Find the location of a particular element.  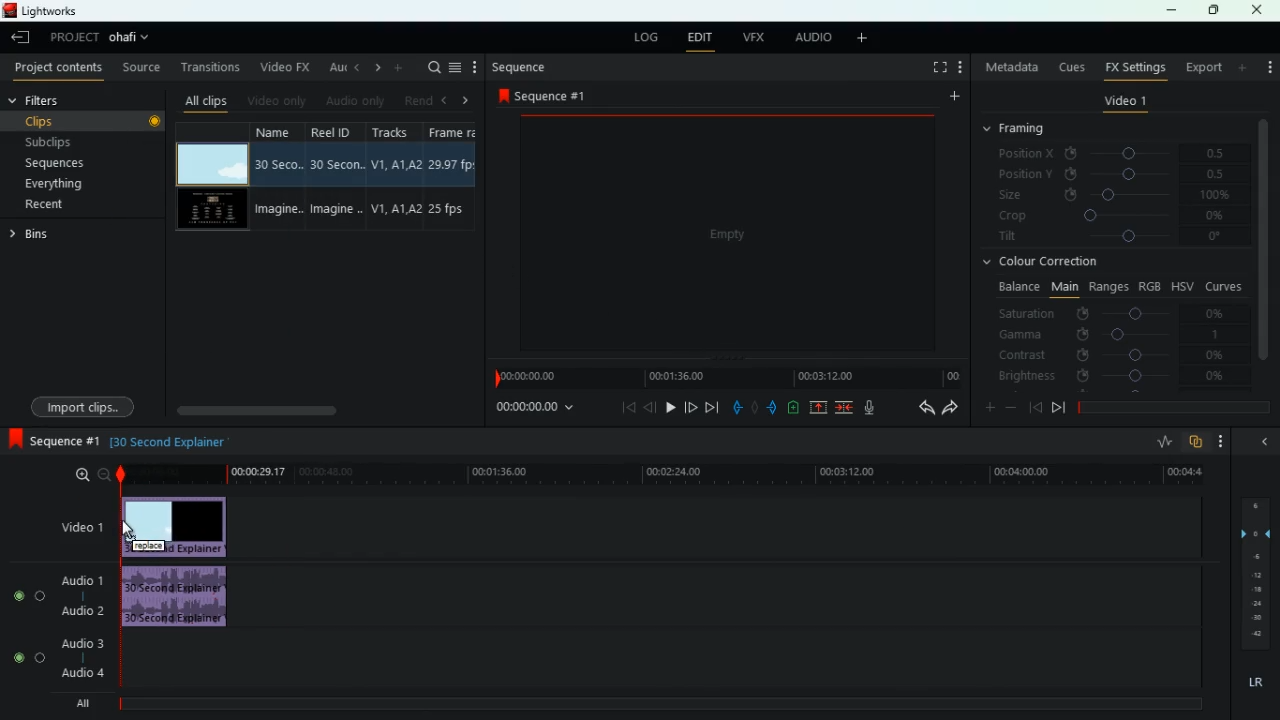

more is located at coordinates (400, 67).